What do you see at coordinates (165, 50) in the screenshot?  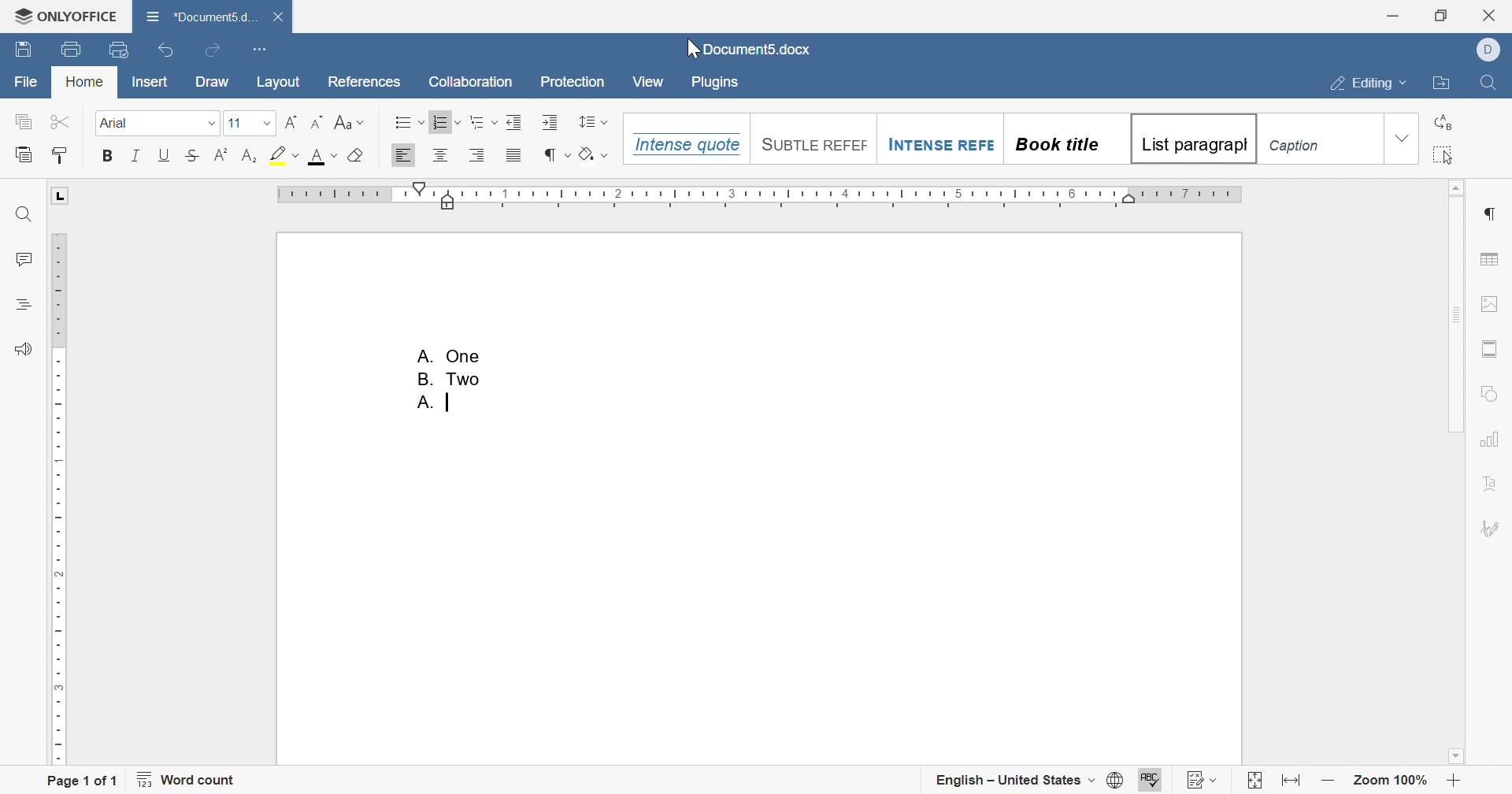 I see `undo` at bounding box center [165, 50].